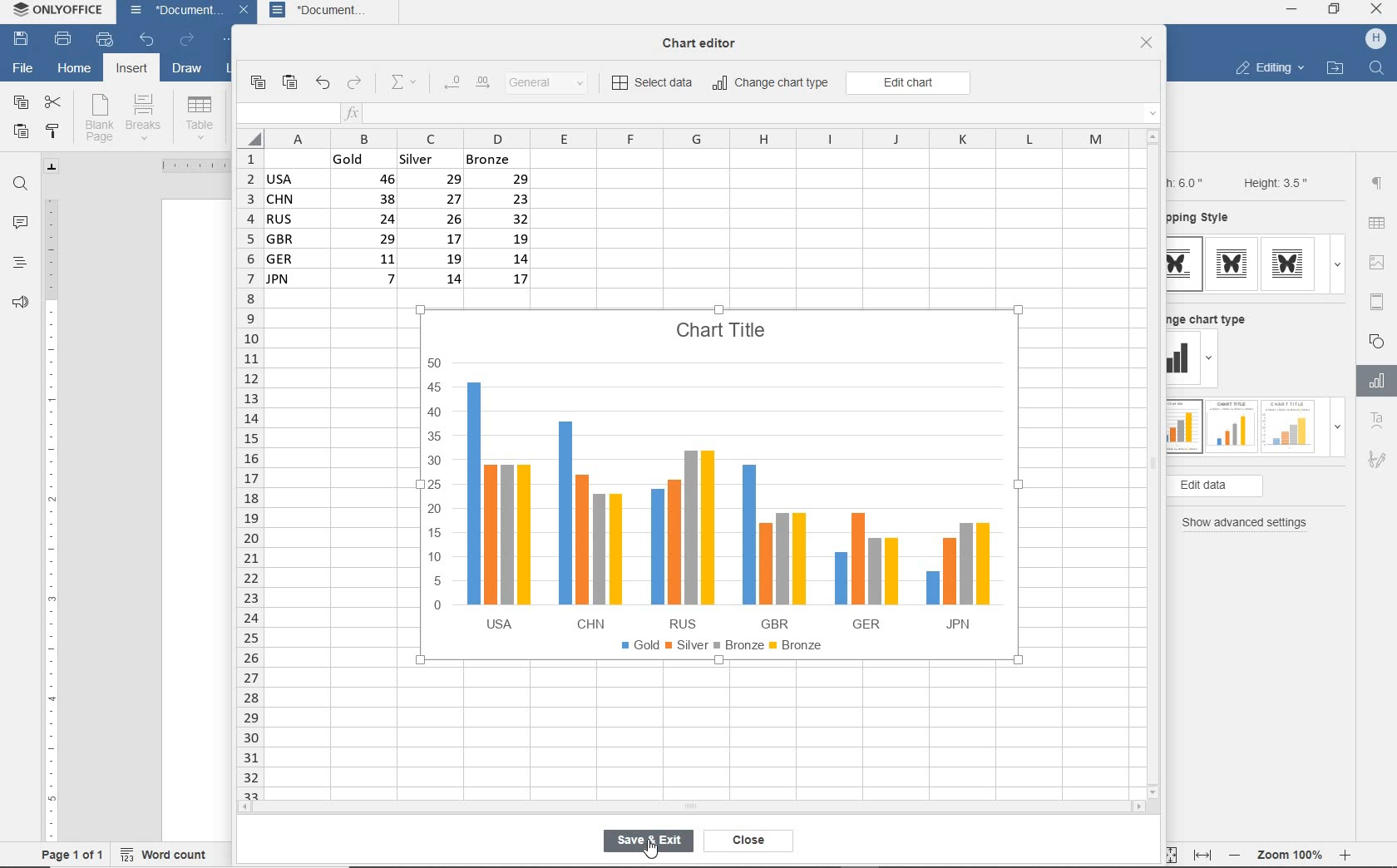 The image size is (1397, 868). Describe the element at coordinates (22, 184) in the screenshot. I see `find` at that location.